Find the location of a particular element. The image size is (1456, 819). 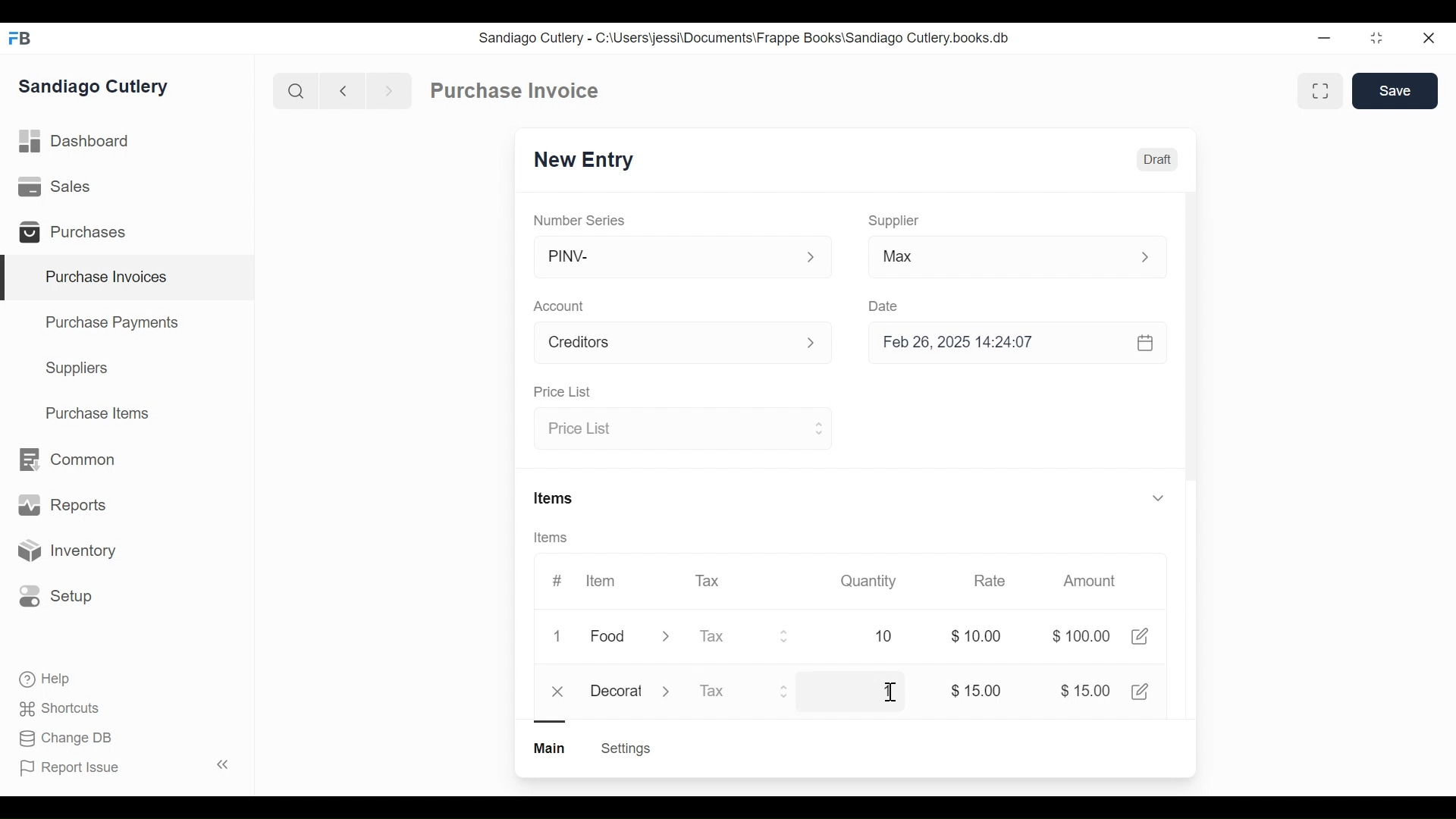

Account is located at coordinates (562, 308).